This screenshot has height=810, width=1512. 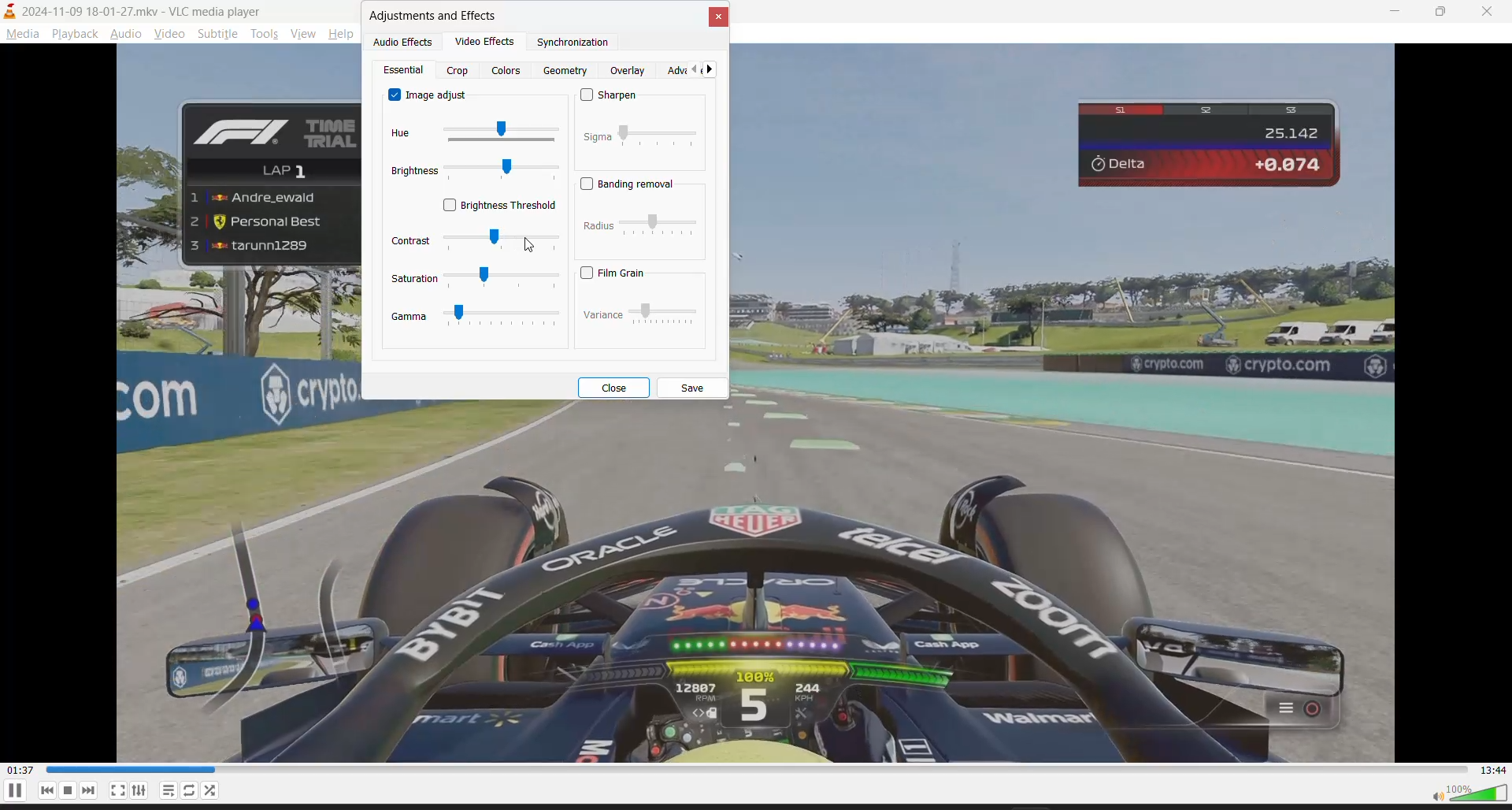 What do you see at coordinates (474, 172) in the screenshot?
I see `brightness` at bounding box center [474, 172].